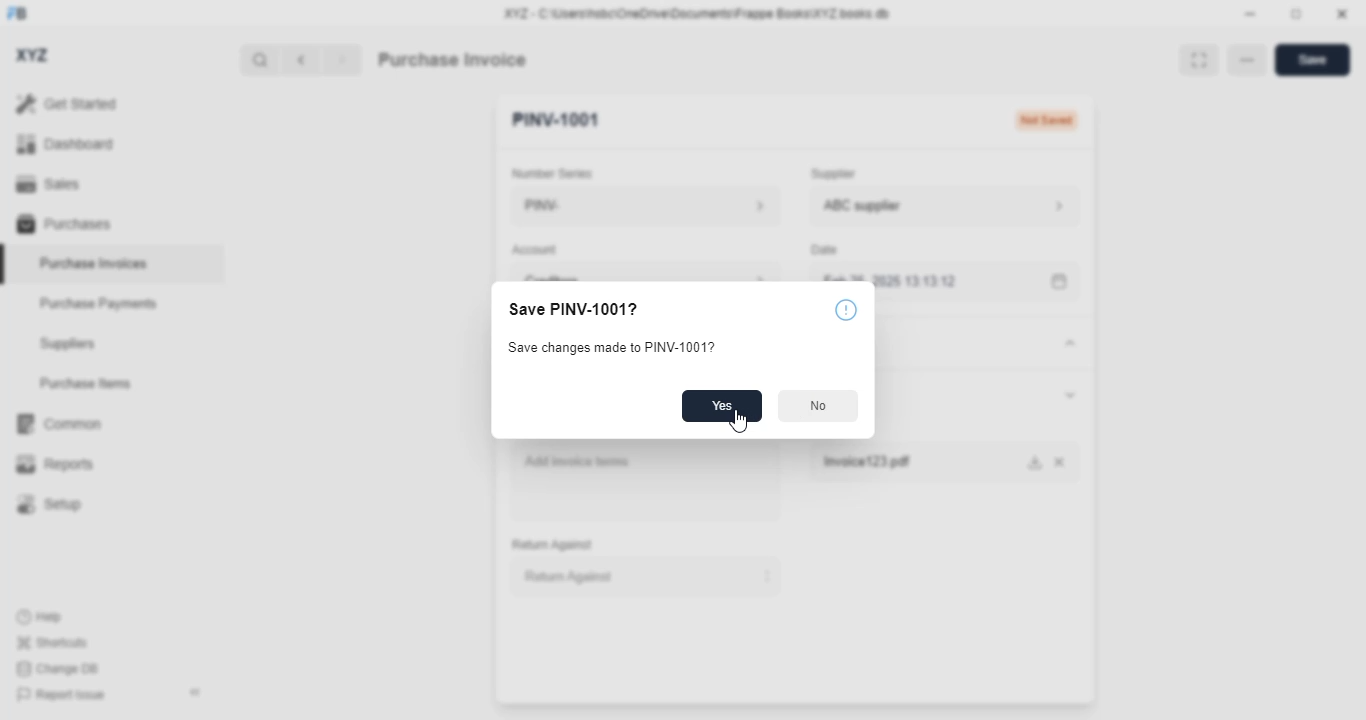 The height and width of the screenshot is (720, 1366). What do you see at coordinates (99, 303) in the screenshot?
I see `purchase payments` at bounding box center [99, 303].